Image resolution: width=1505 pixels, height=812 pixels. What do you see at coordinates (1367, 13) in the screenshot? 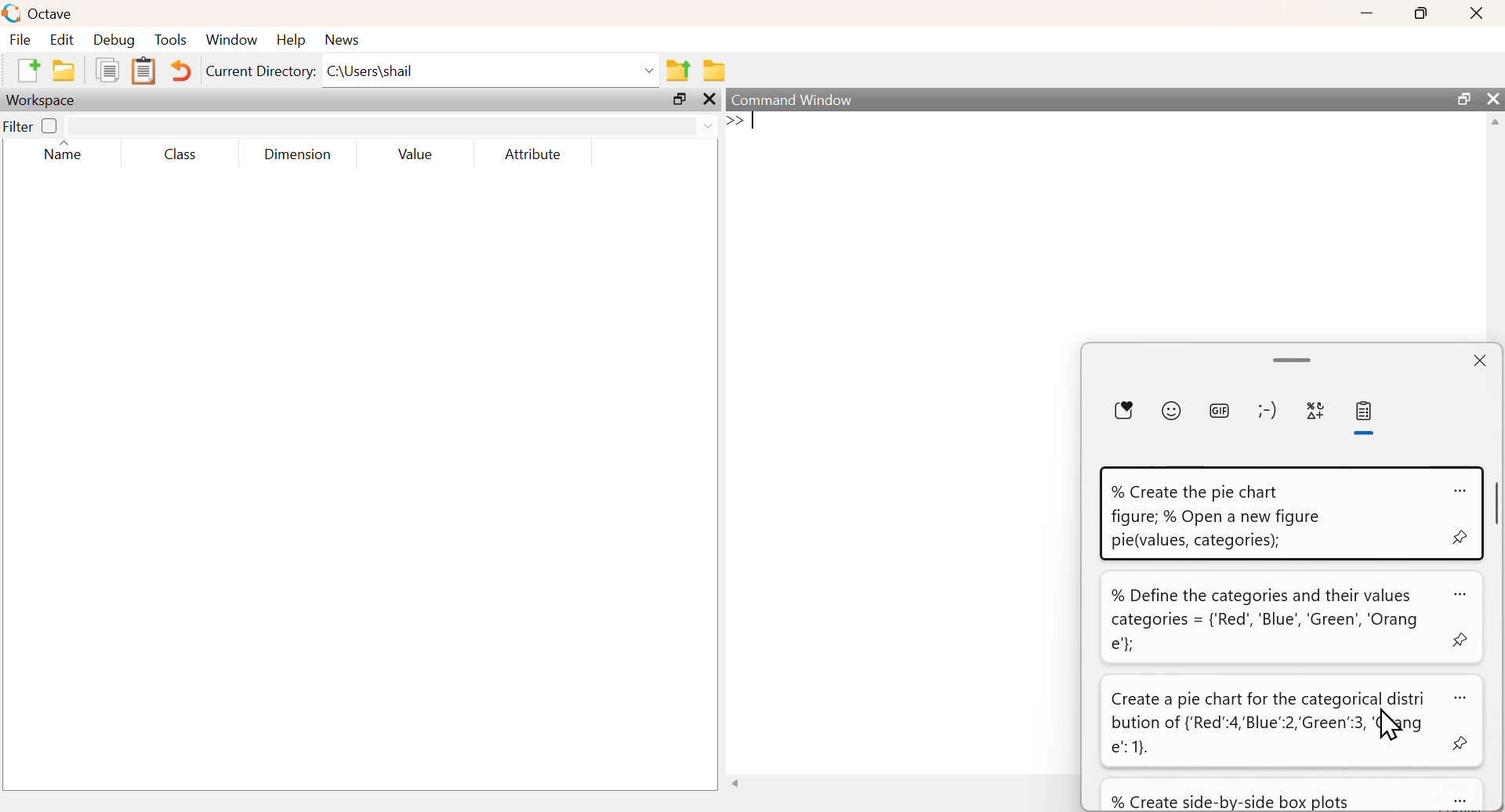
I see `minimize` at bounding box center [1367, 13].